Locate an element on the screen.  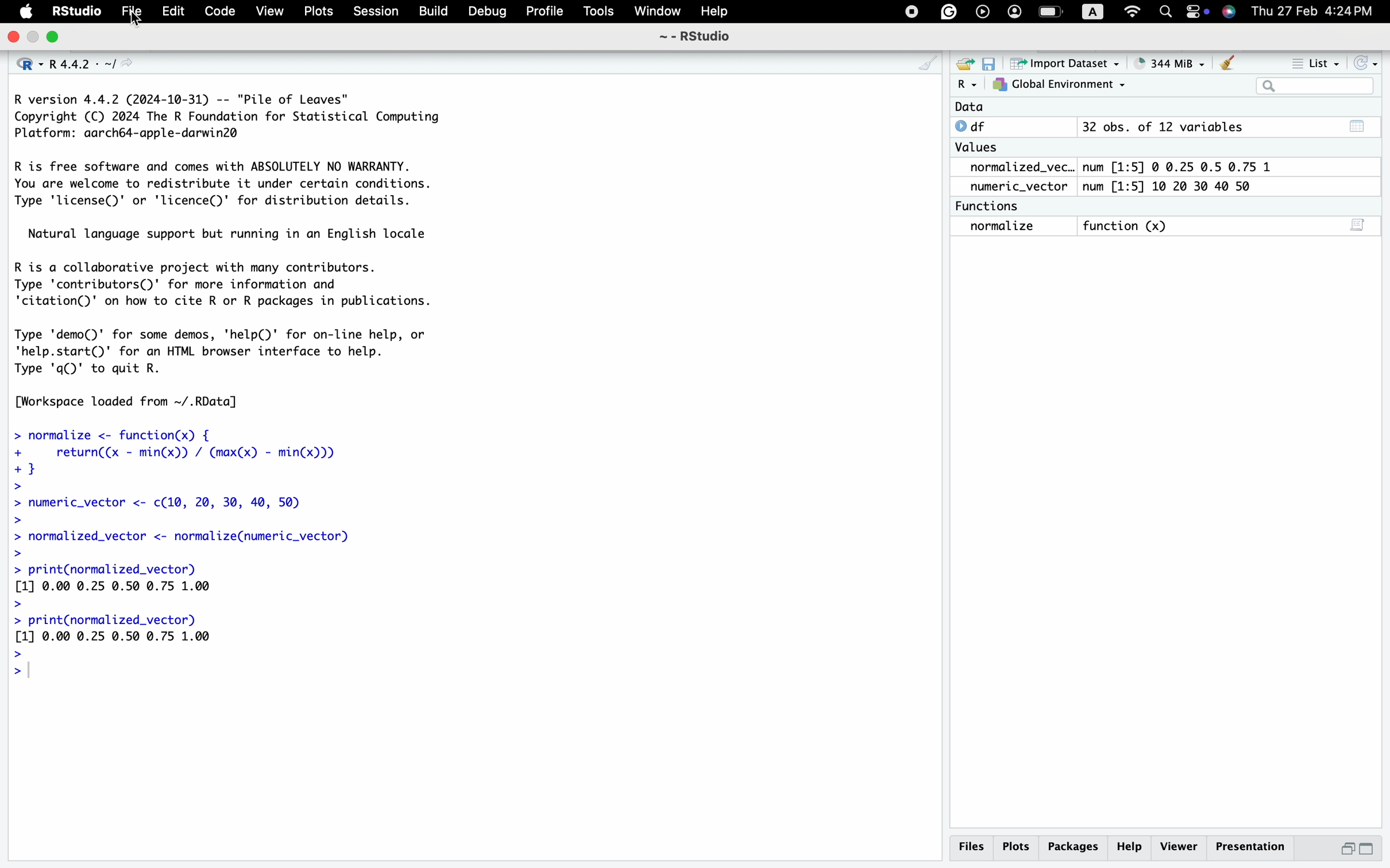
Global Environment is located at coordinates (1058, 85).